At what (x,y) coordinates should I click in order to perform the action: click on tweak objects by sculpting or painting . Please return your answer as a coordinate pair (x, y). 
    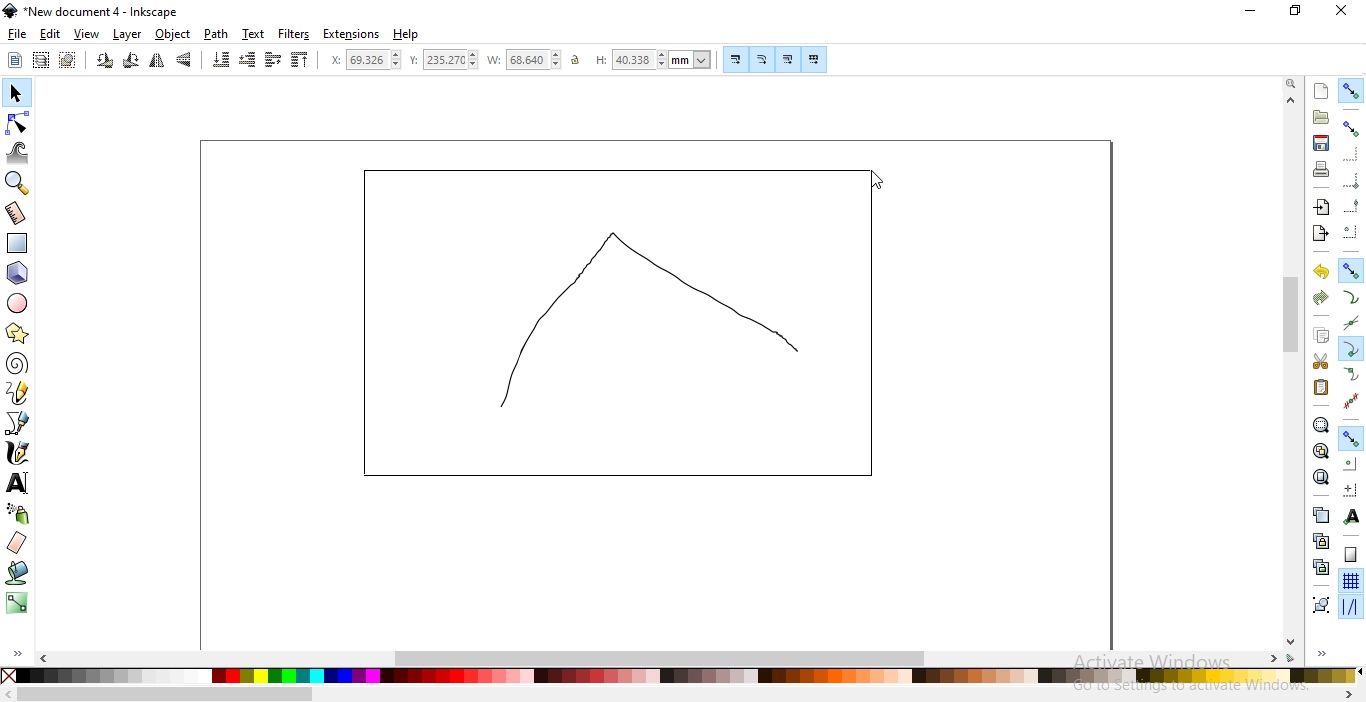
    Looking at the image, I should click on (18, 153).